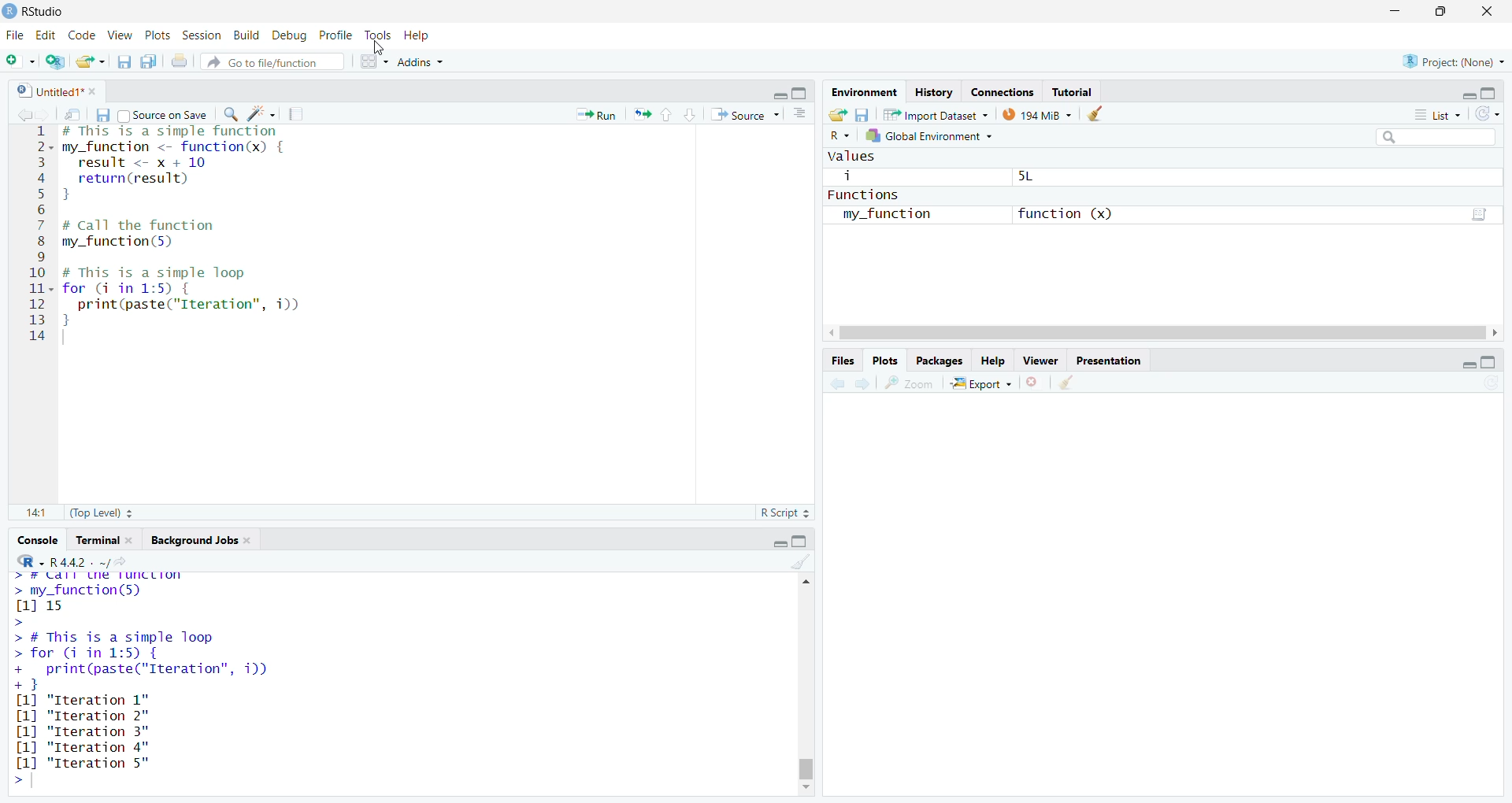 Image resolution: width=1512 pixels, height=803 pixels. Describe the element at coordinates (1482, 212) in the screenshot. I see `script` at that location.